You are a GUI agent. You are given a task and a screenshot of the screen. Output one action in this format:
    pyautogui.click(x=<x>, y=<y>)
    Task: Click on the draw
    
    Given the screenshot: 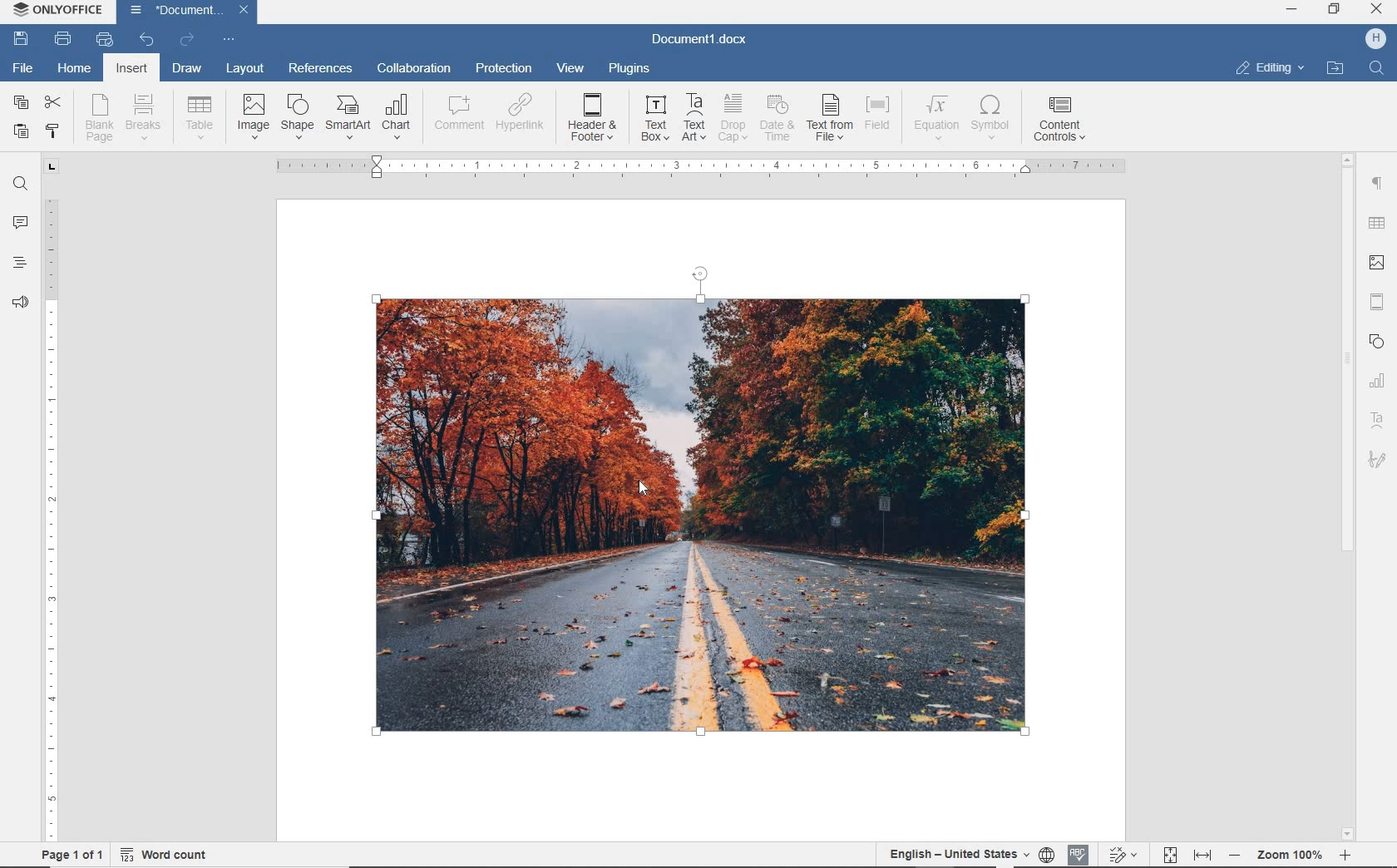 What is the action you would take?
    pyautogui.click(x=188, y=69)
    